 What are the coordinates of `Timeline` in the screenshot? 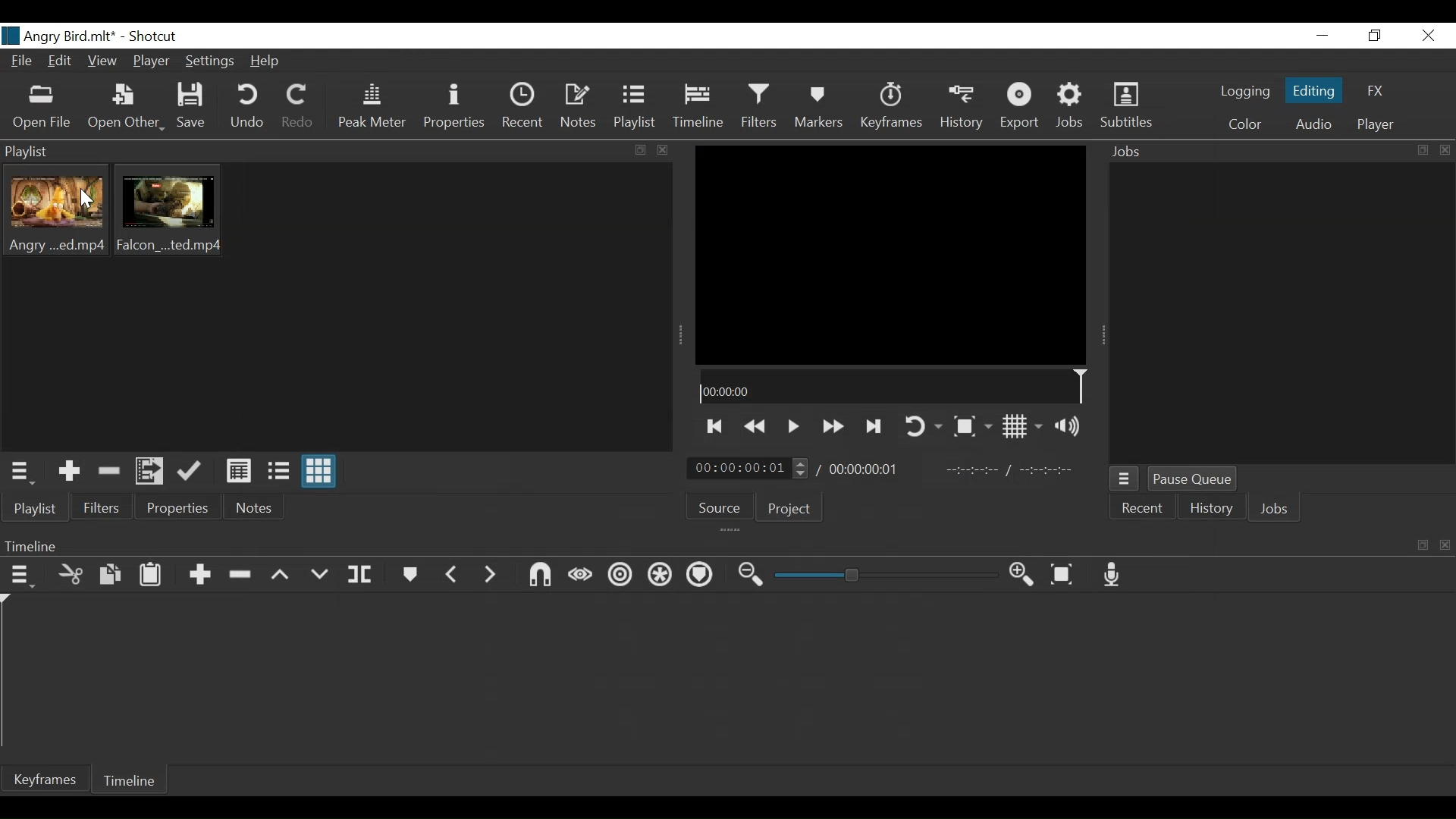 It's located at (131, 783).